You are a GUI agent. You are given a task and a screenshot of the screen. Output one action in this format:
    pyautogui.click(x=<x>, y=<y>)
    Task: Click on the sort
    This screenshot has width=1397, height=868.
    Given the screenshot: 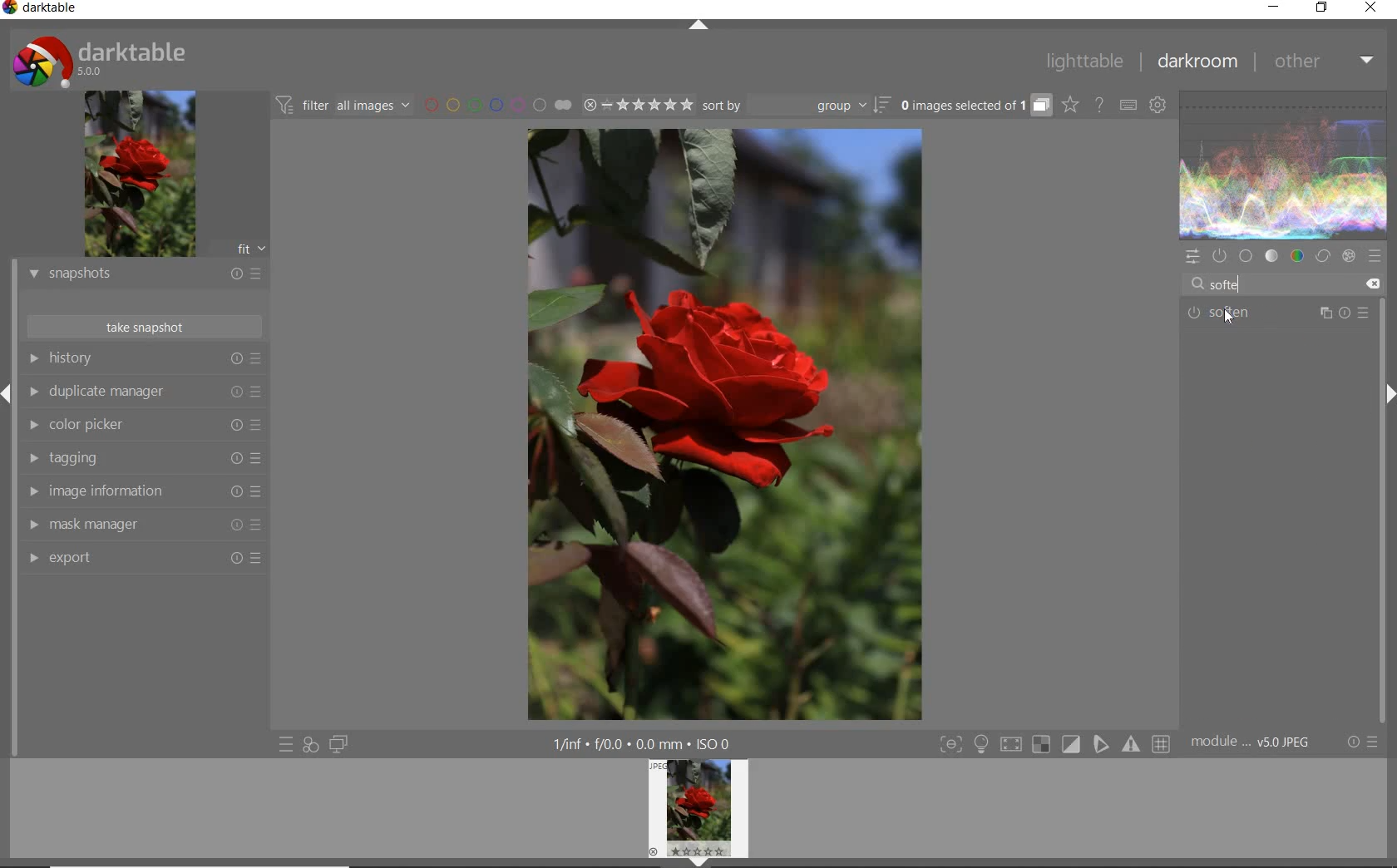 What is the action you would take?
    pyautogui.click(x=797, y=106)
    